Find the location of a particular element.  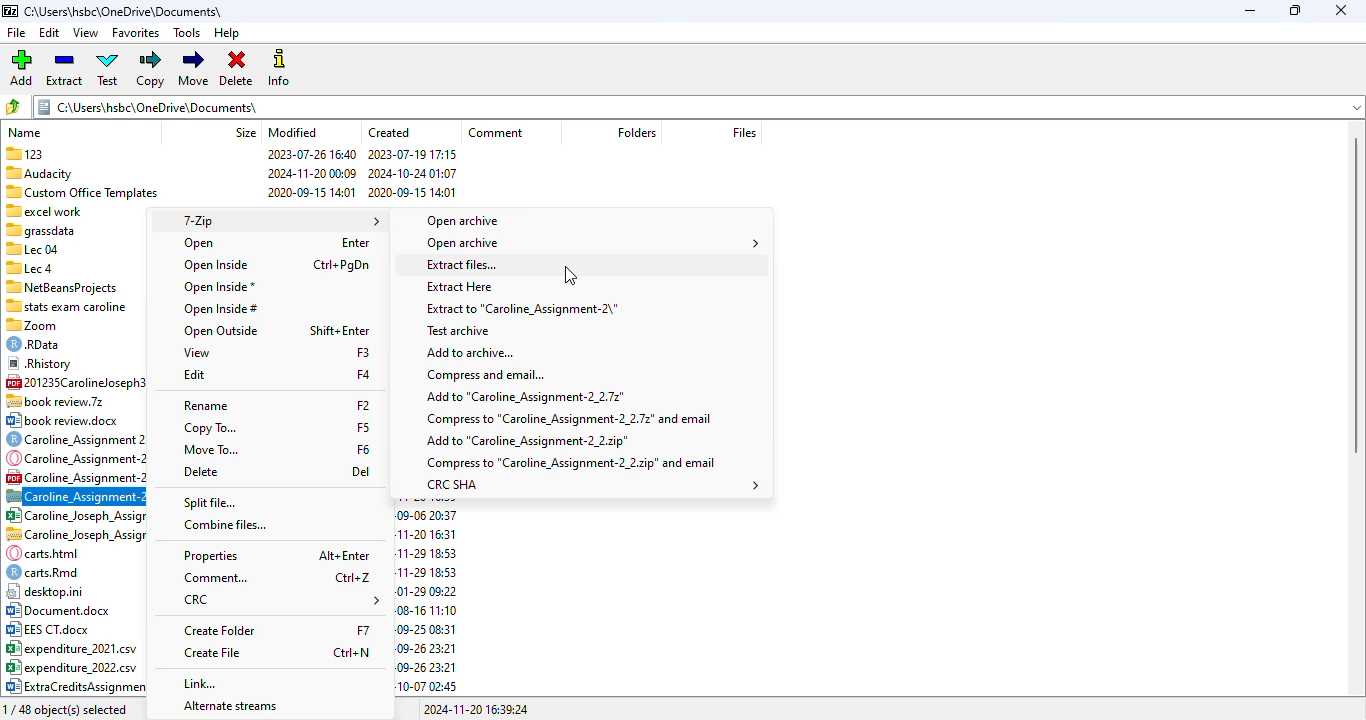

() RData 38899 2023-10-12 11:40 2023-10-12 11:40 is located at coordinates (72, 345).